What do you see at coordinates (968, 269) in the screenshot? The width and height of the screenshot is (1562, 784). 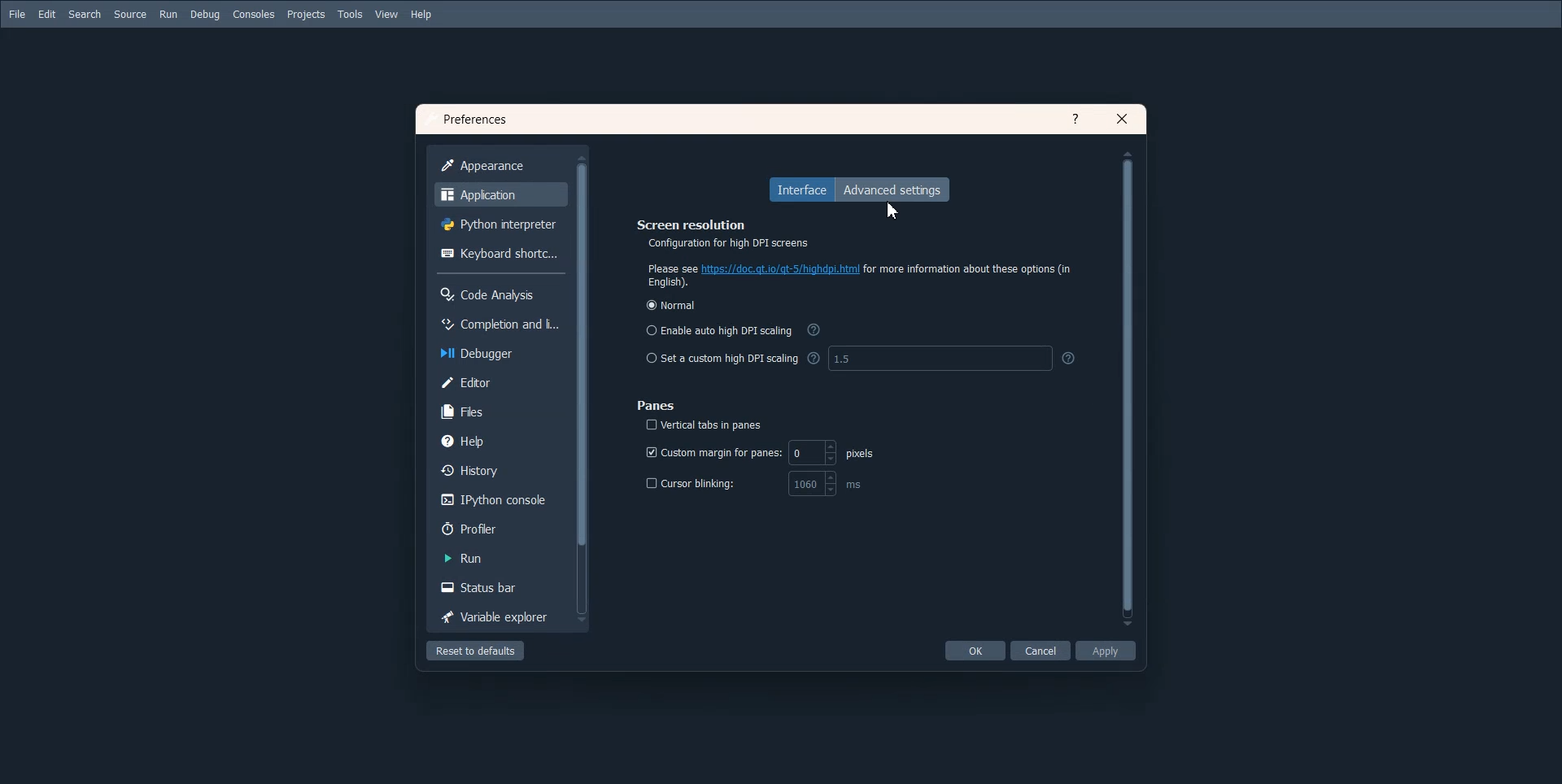 I see `more information` at bounding box center [968, 269].